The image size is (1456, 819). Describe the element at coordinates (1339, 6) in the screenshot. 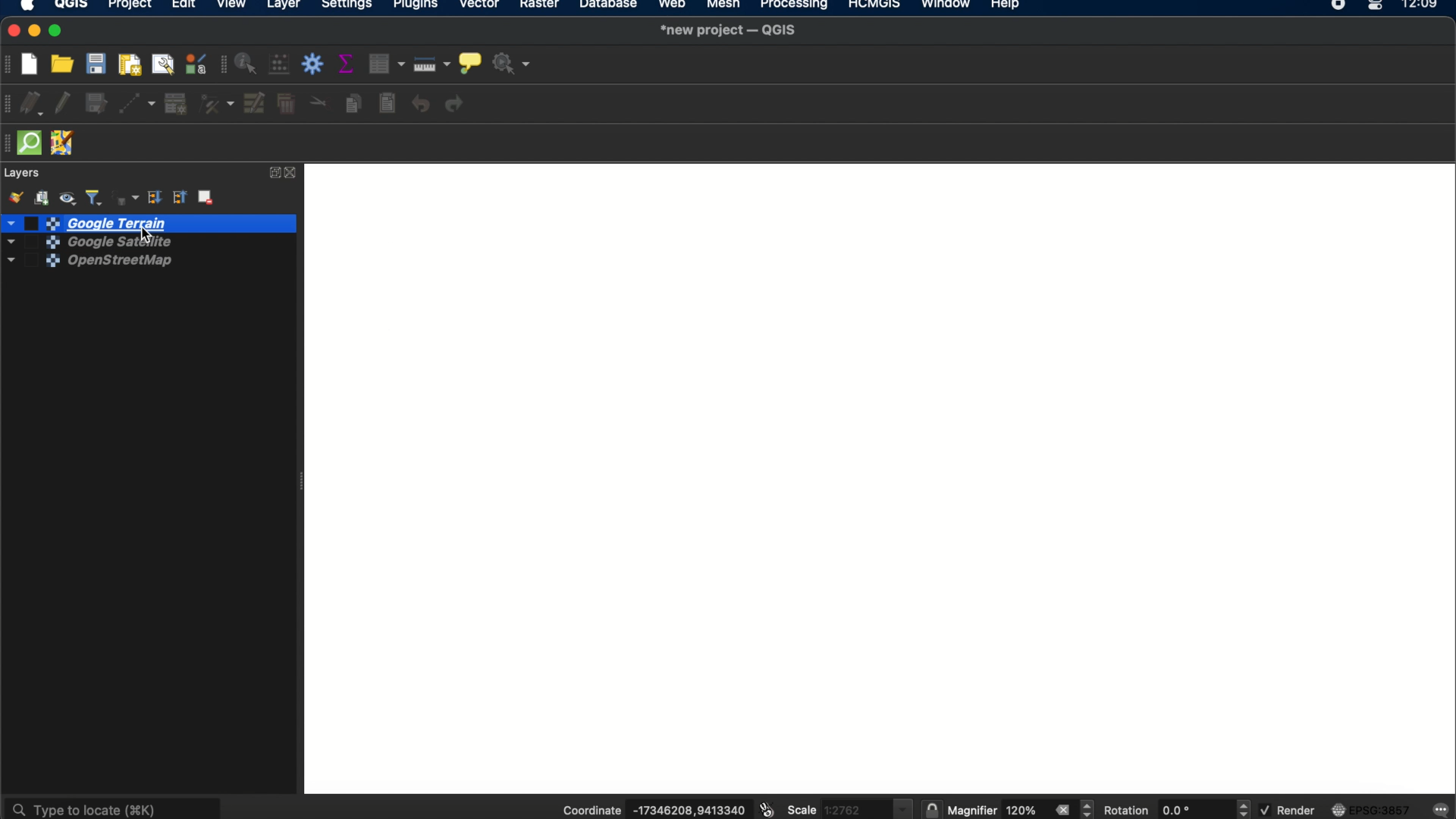

I see `recorder icon` at that location.